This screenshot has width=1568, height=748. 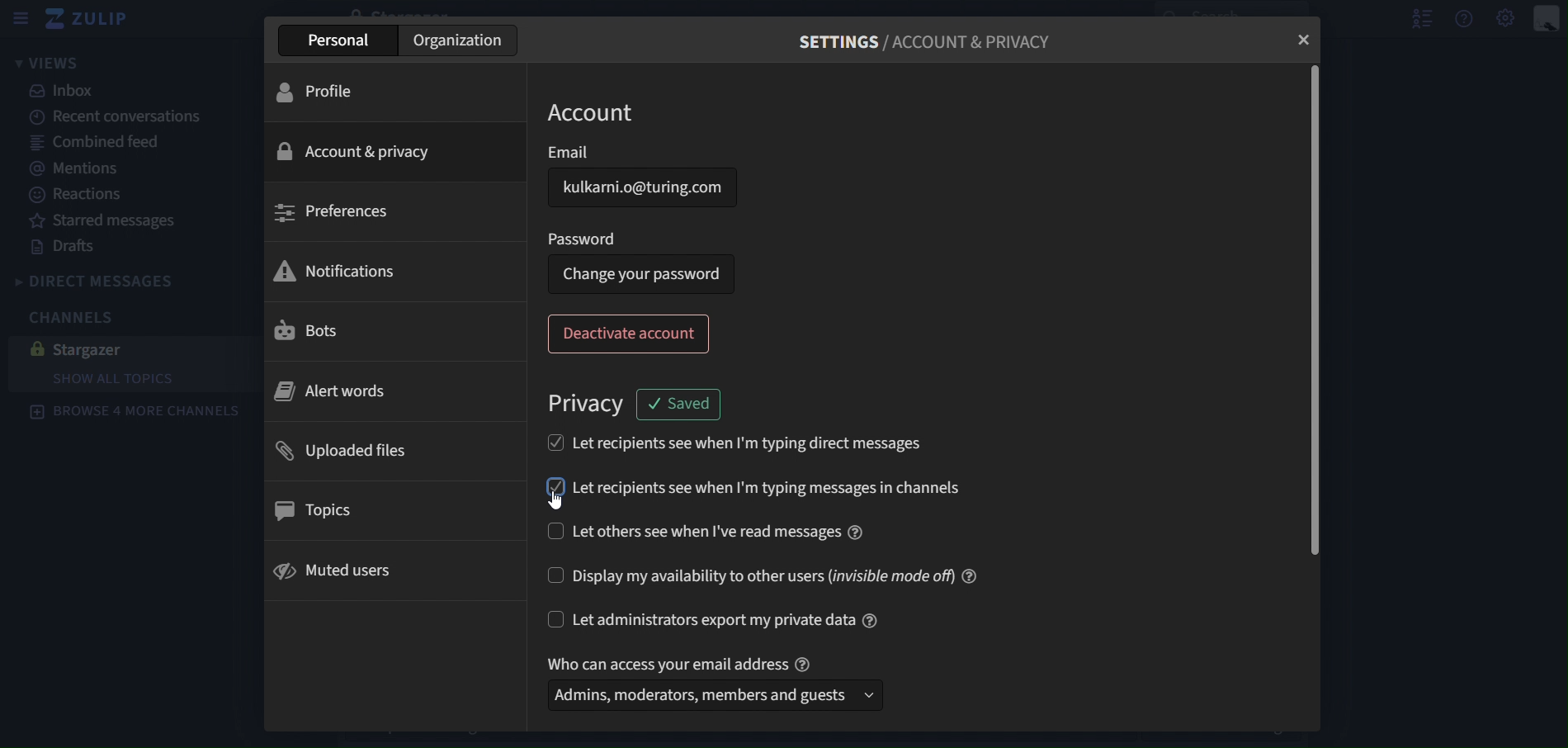 What do you see at coordinates (96, 22) in the screenshot?
I see `zulip` at bounding box center [96, 22].